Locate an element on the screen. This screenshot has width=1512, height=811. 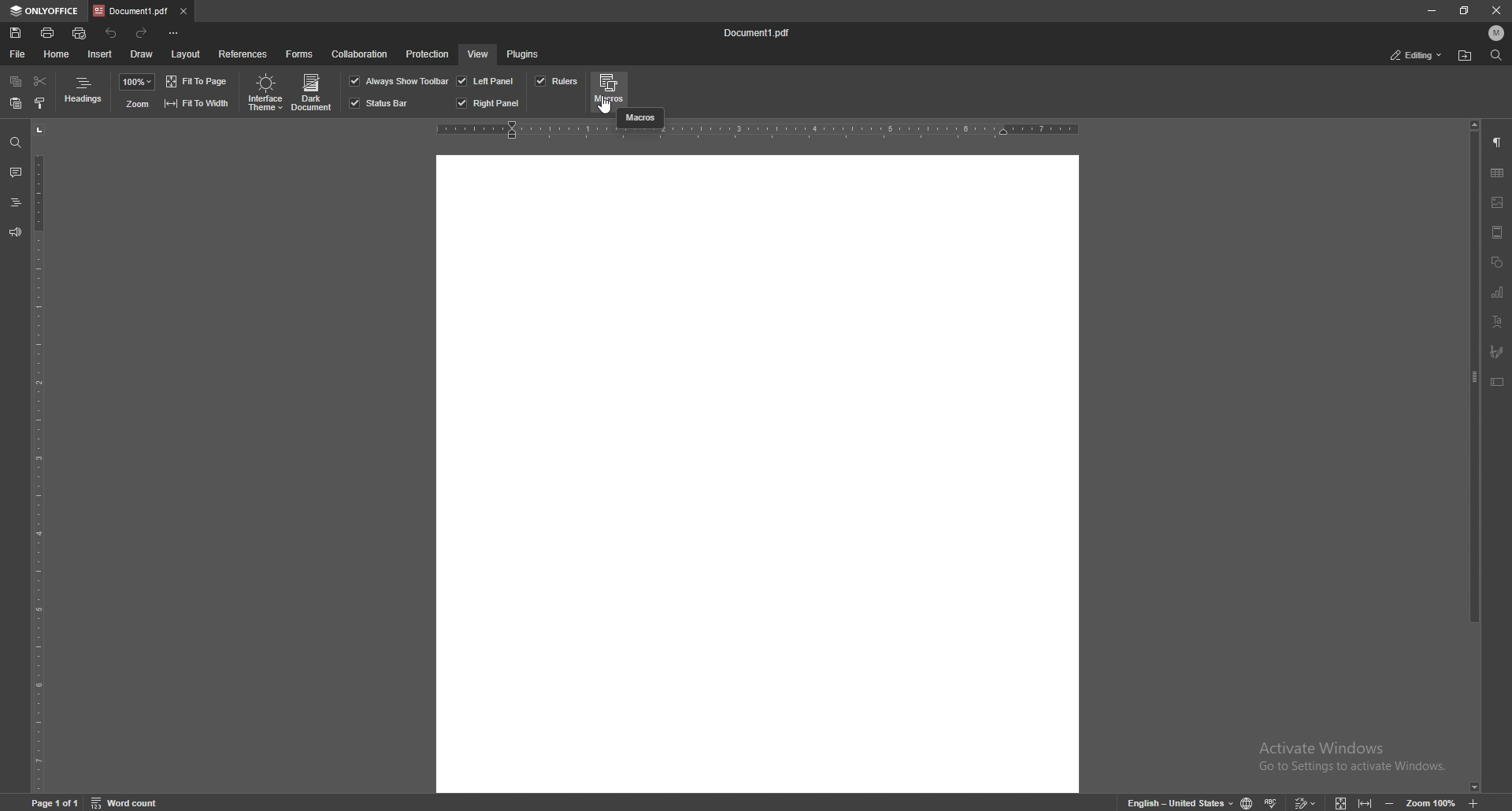
redo is located at coordinates (144, 32).